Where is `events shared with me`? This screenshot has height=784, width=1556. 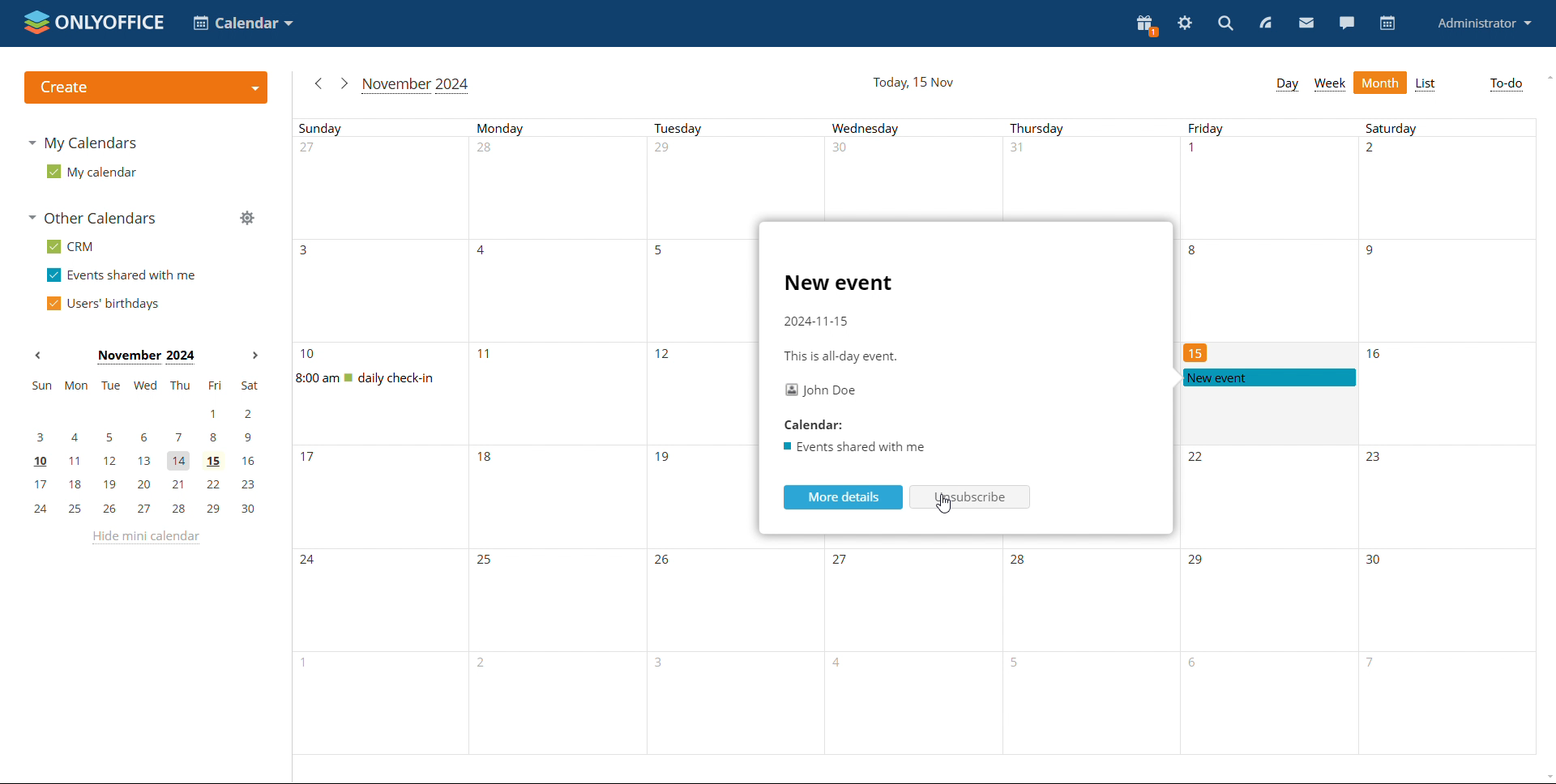
events shared with me is located at coordinates (121, 275).